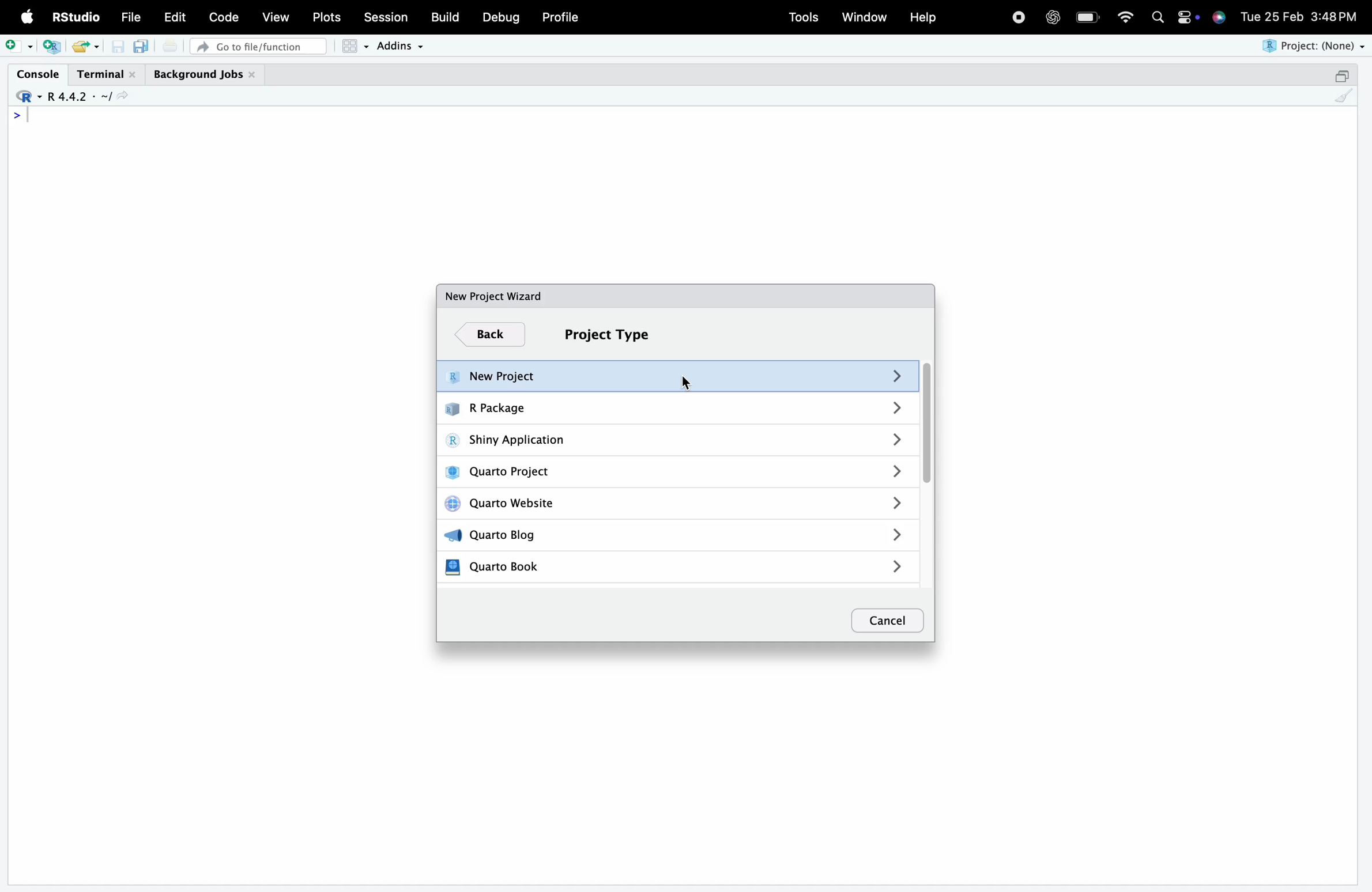 This screenshot has width=1372, height=892. What do you see at coordinates (678, 473) in the screenshot?
I see `Quarto Project` at bounding box center [678, 473].